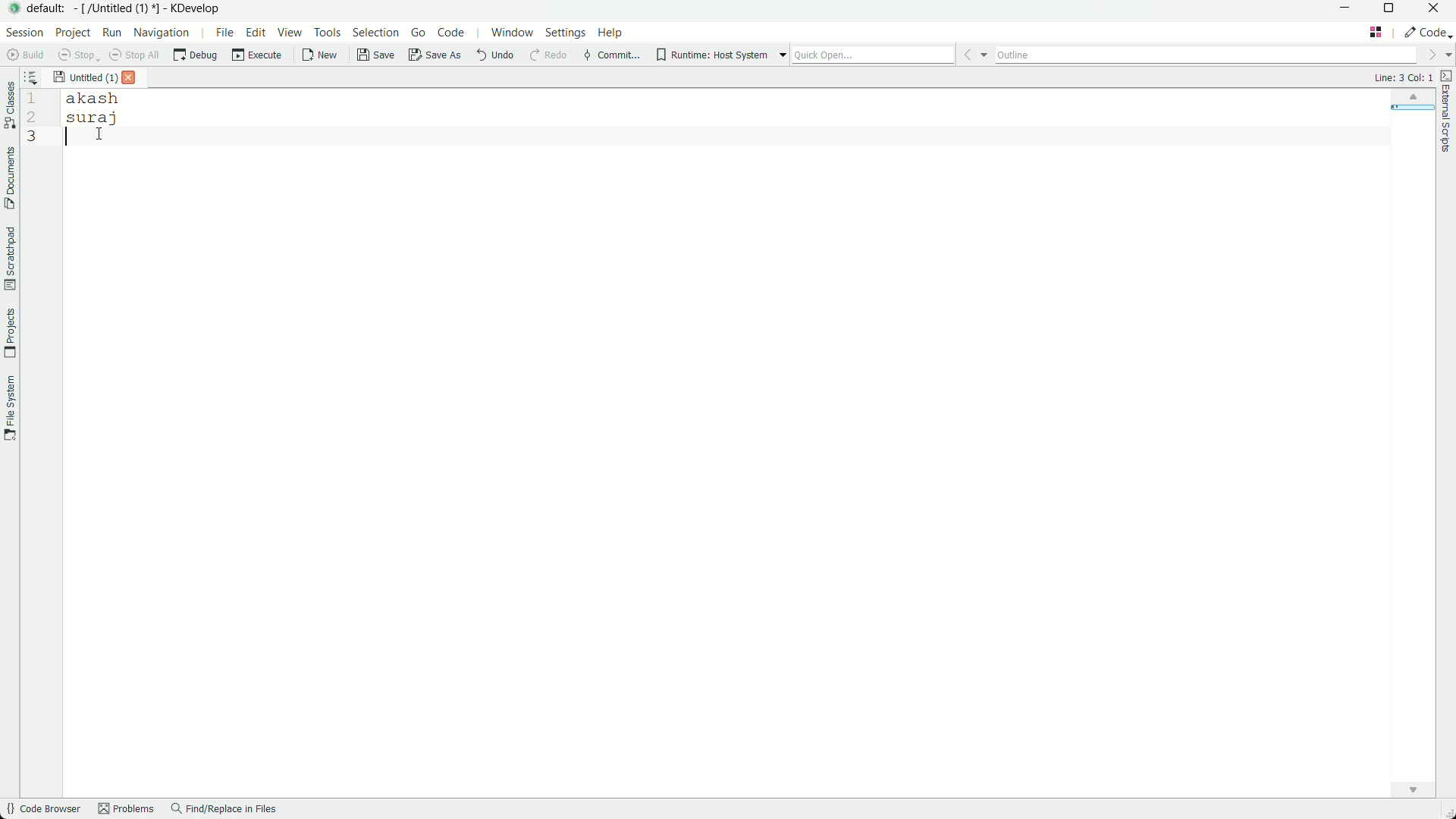  What do you see at coordinates (30, 118) in the screenshot?
I see `line numbers` at bounding box center [30, 118].